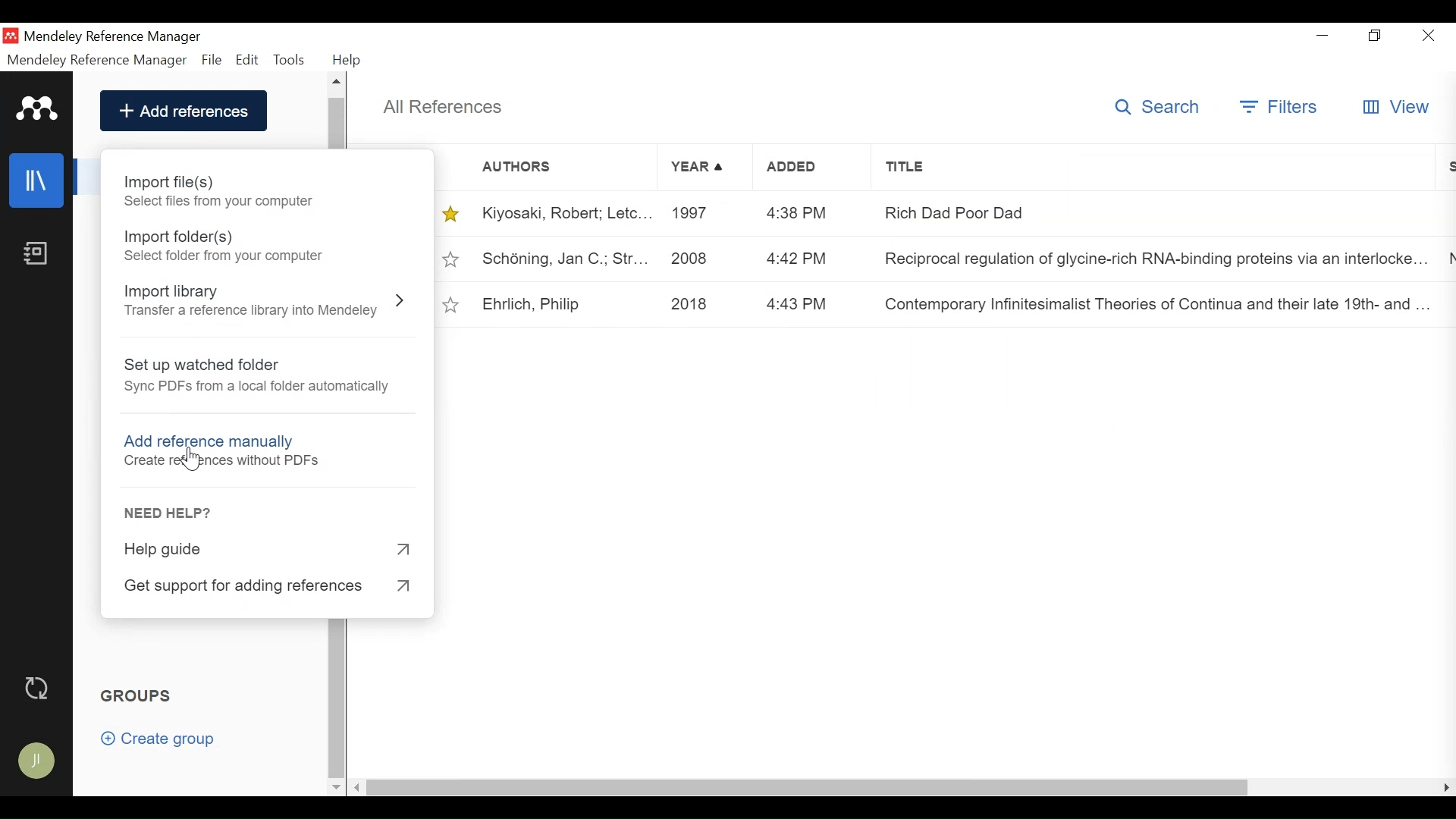  Describe the element at coordinates (36, 761) in the screenshot. I see `Avatar` at that location.